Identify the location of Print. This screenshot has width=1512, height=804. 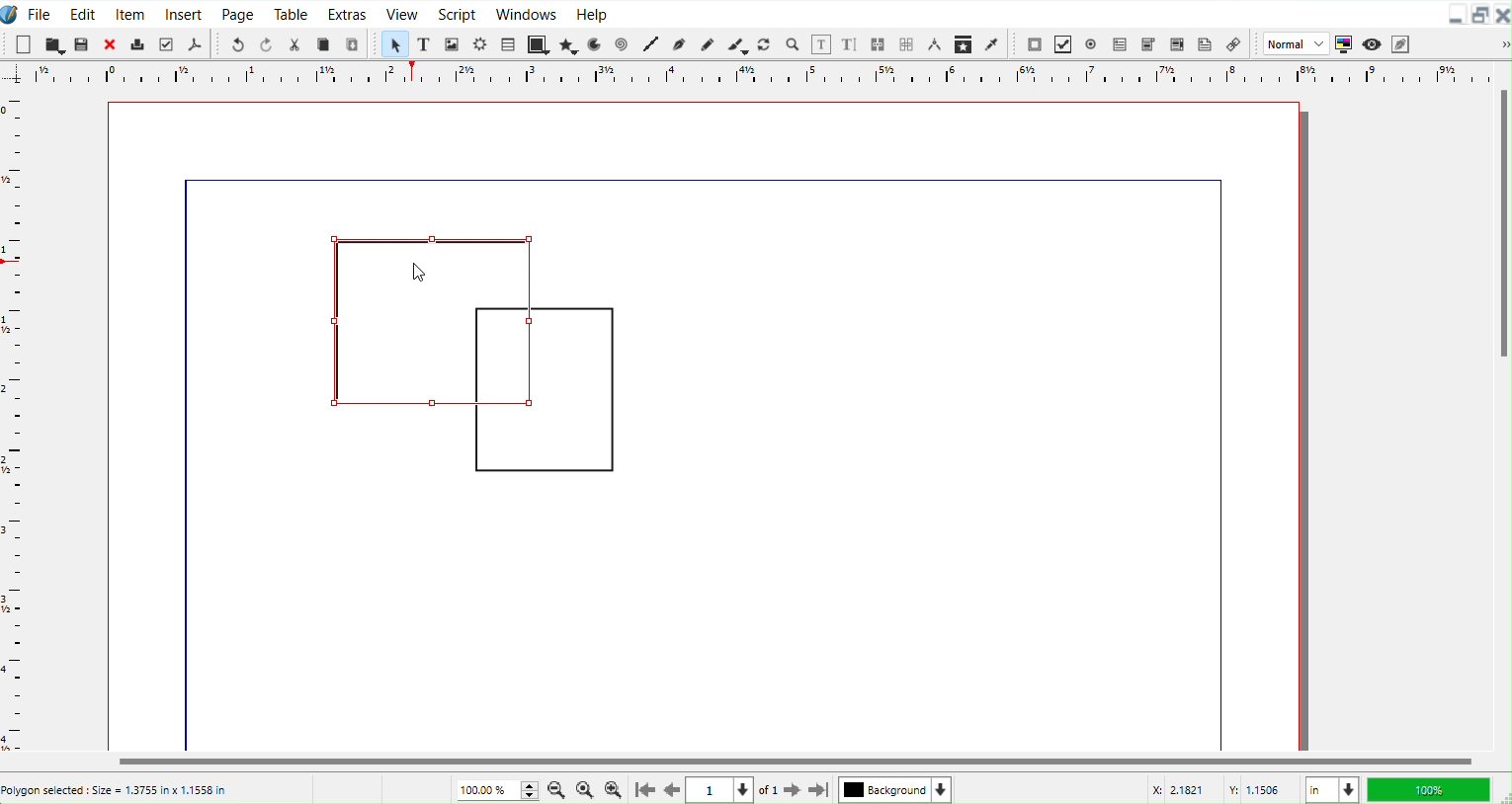
(136, 44).